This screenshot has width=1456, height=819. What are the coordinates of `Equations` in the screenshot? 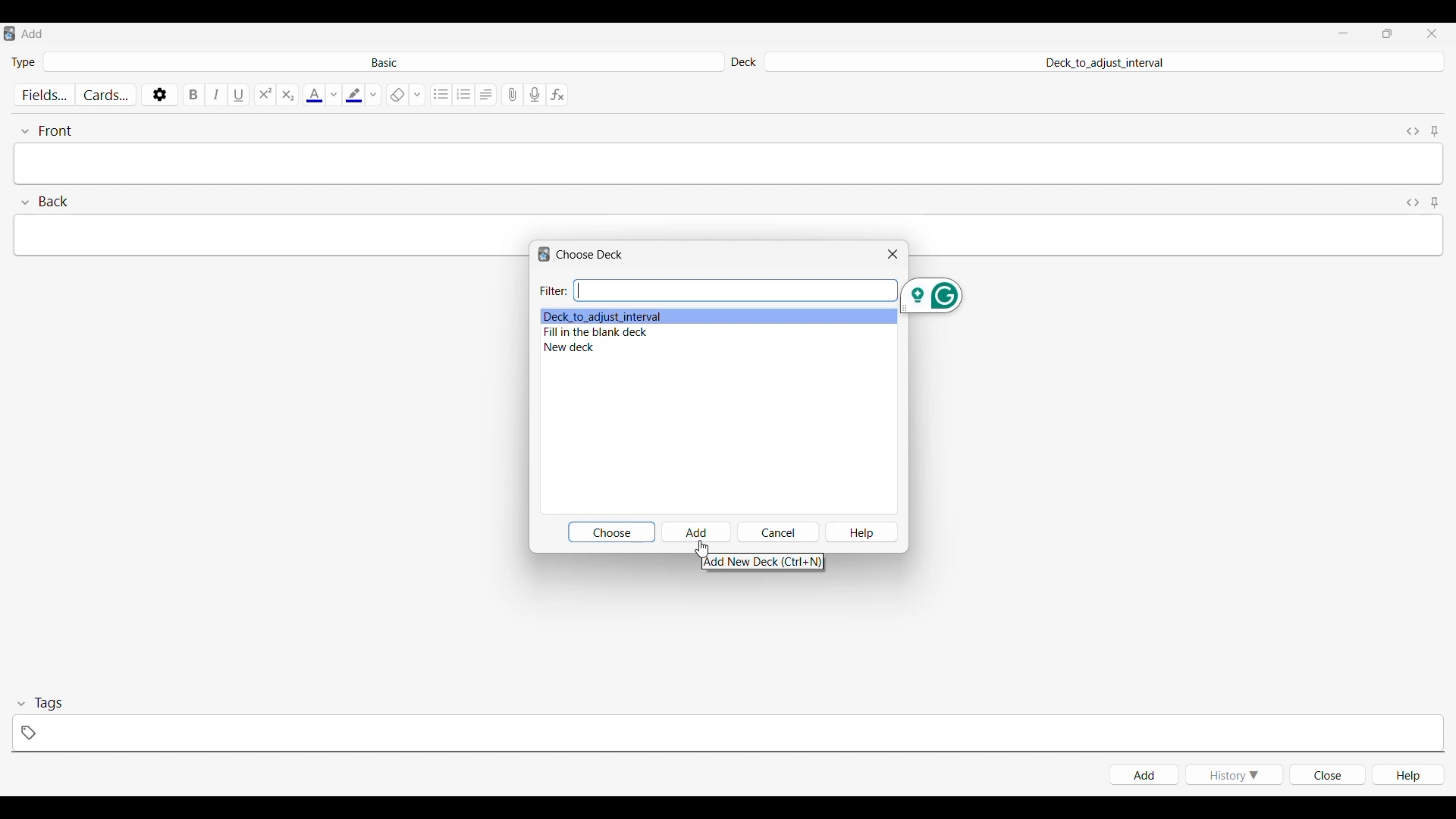 It's located at (557, 95).